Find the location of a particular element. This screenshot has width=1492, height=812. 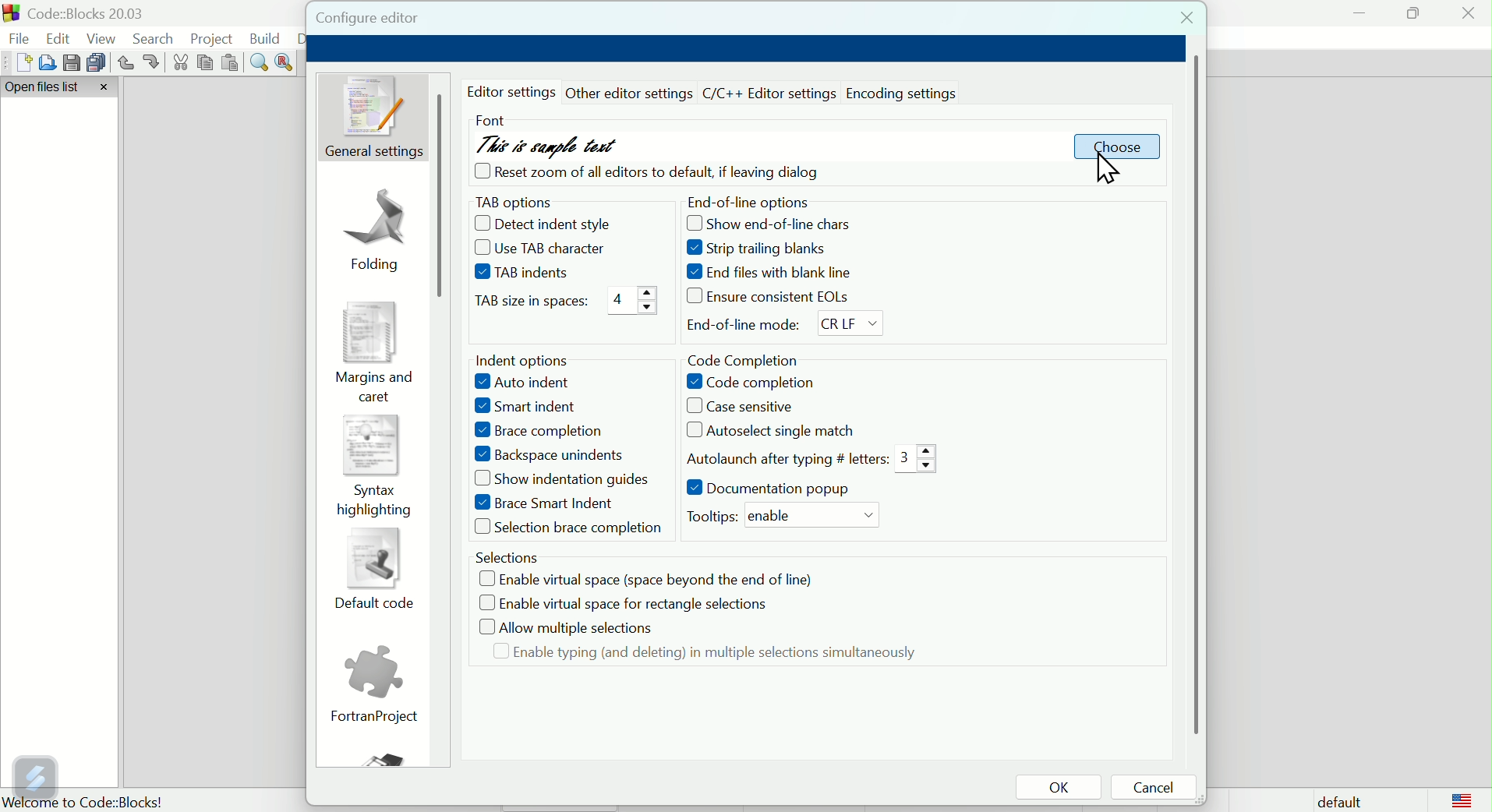

Font is located at coordinates (489, 117).